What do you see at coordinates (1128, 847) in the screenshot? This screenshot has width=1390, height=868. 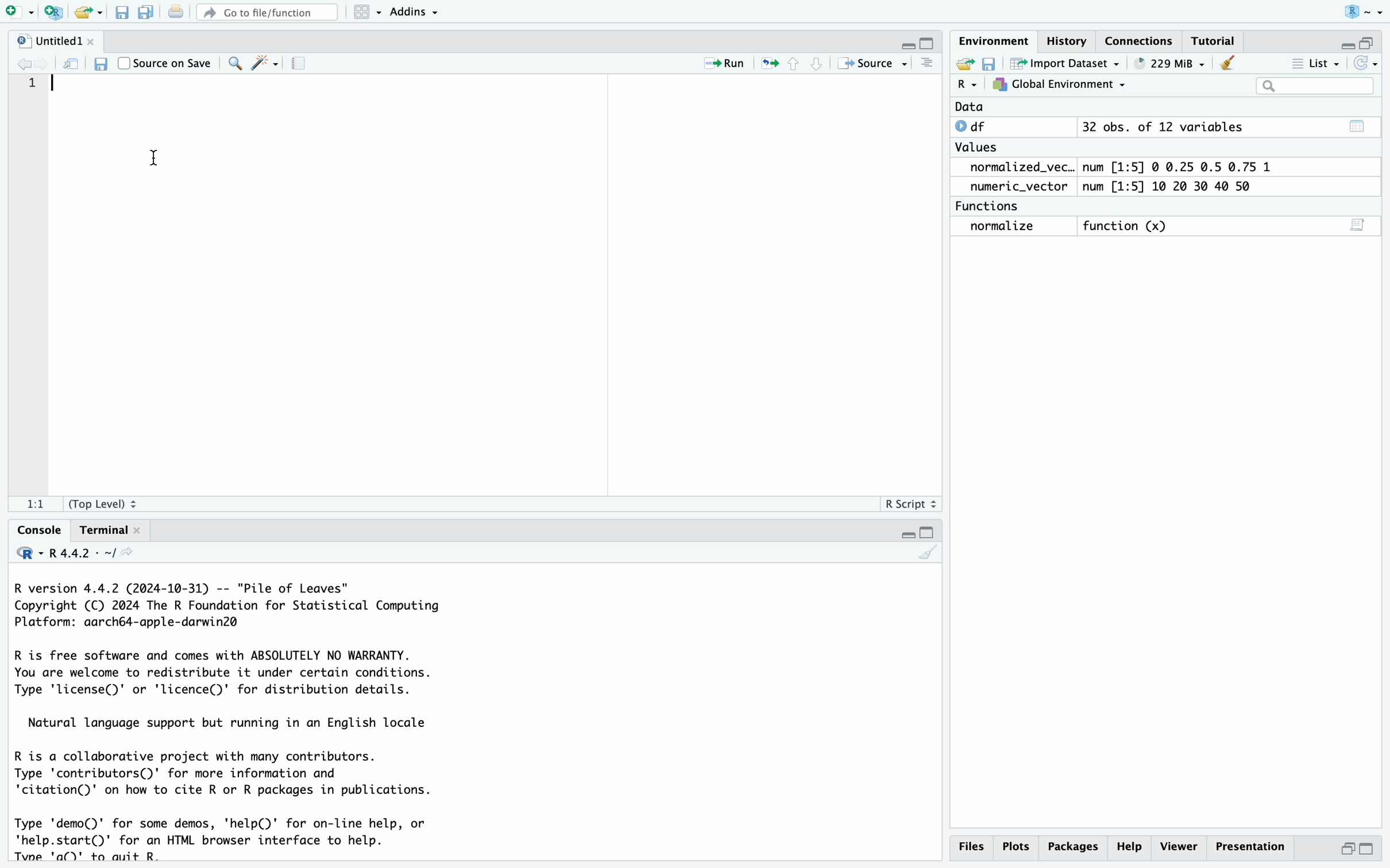 I see `Packages` at bounding box center [1128, 847].